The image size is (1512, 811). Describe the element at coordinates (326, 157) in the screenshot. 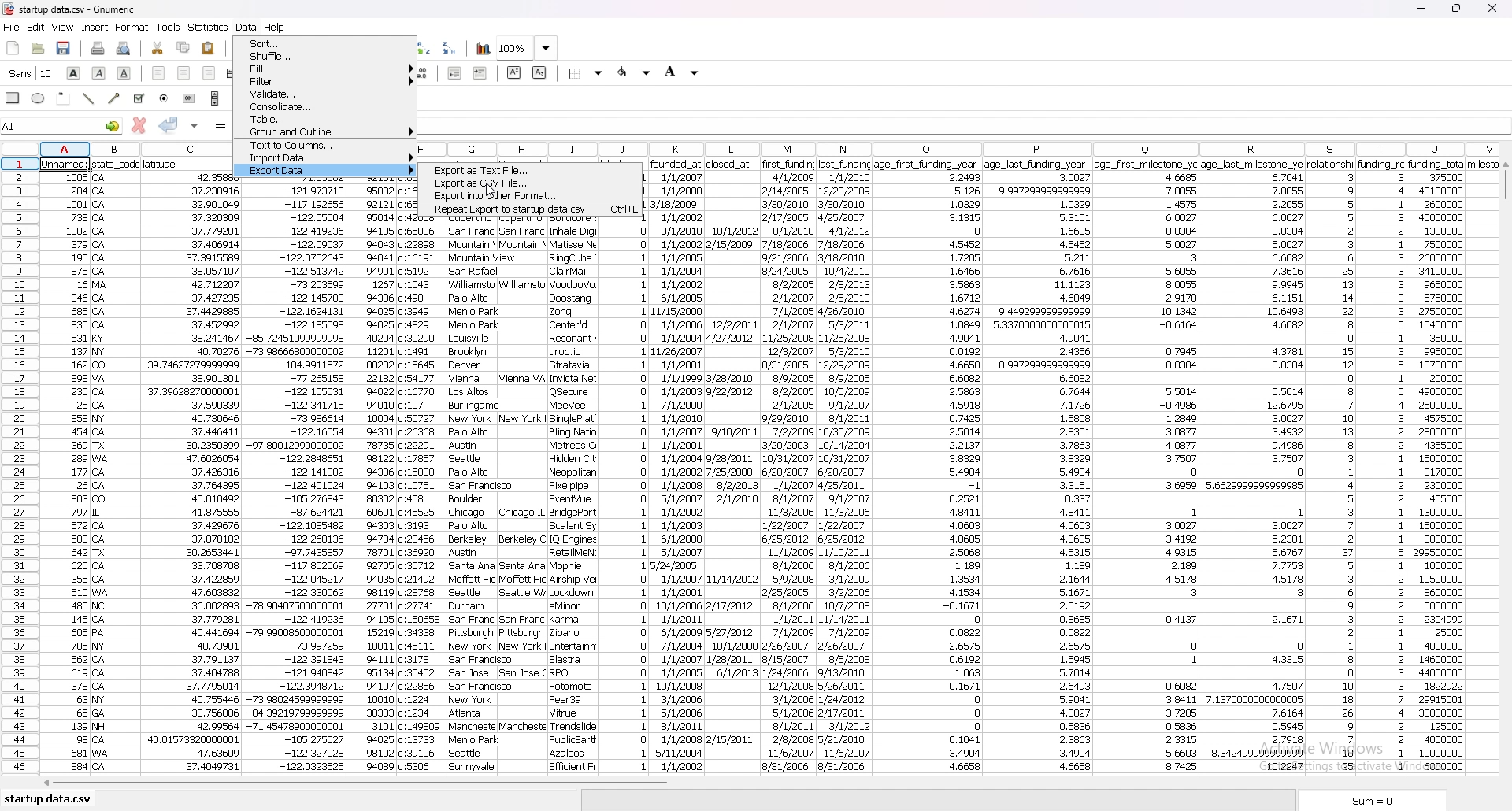

I see `import data` at that location.